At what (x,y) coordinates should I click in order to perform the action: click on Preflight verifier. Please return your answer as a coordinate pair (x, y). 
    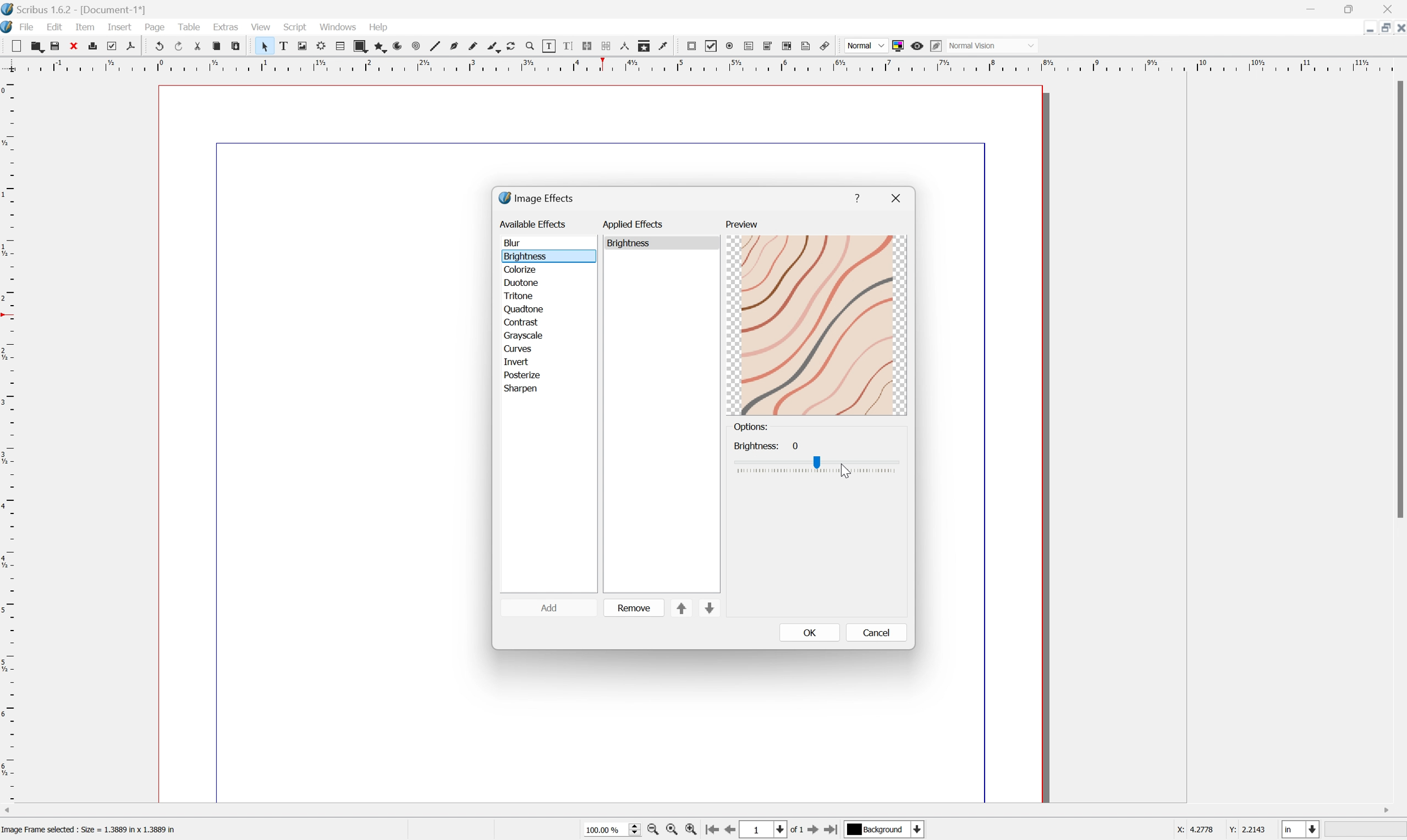
    Looking at the image, I should click on (113, 45).